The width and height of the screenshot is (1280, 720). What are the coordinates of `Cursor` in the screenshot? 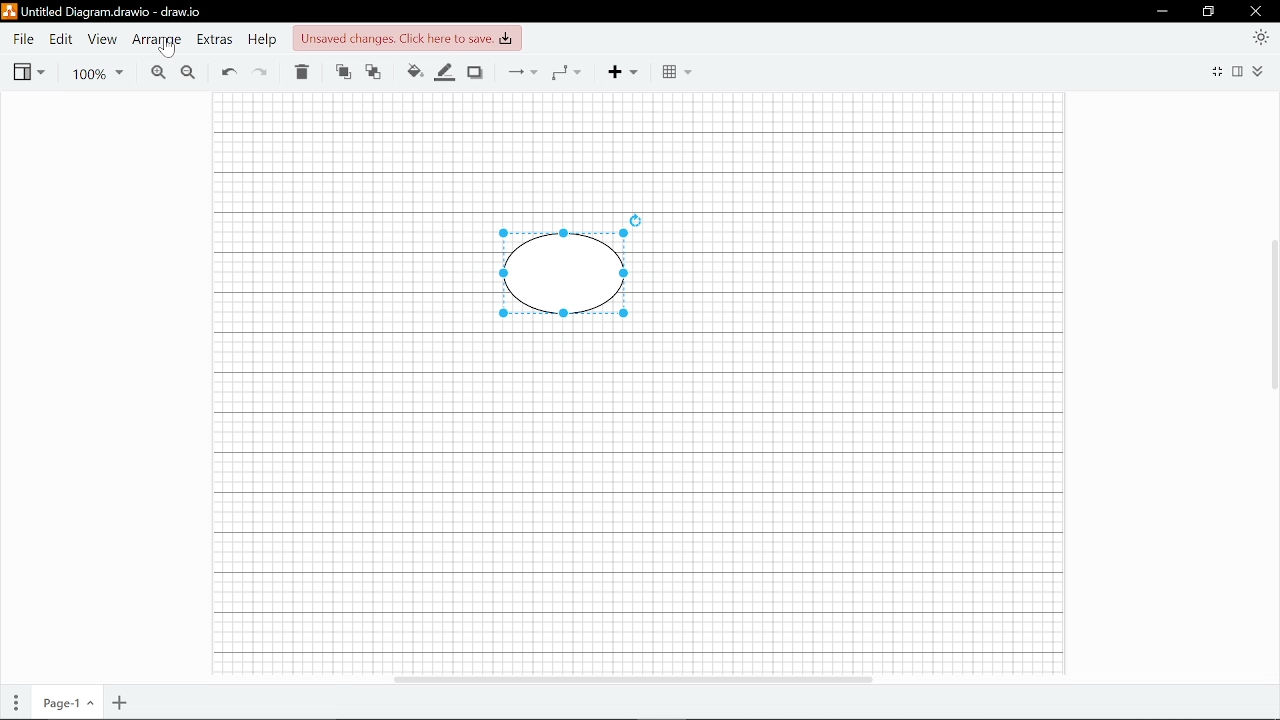 It's located at (168, 52).